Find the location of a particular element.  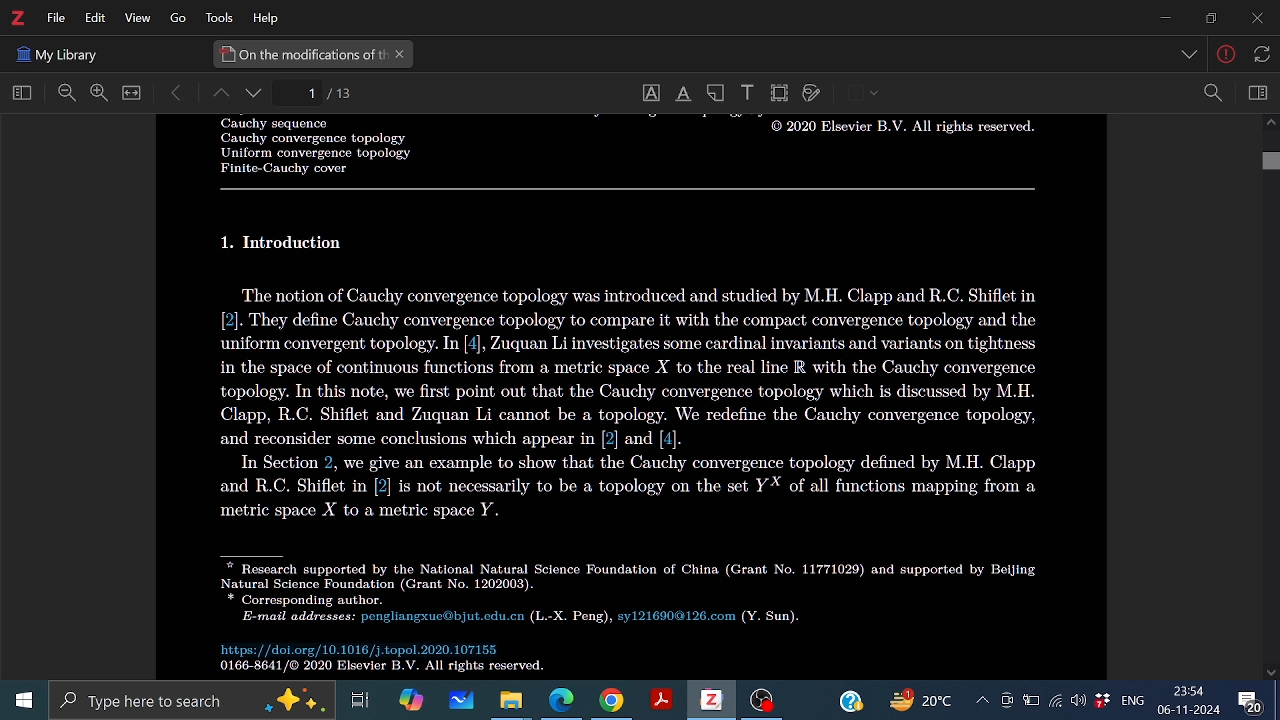

Draw on page is located at coordinates (812, 94).